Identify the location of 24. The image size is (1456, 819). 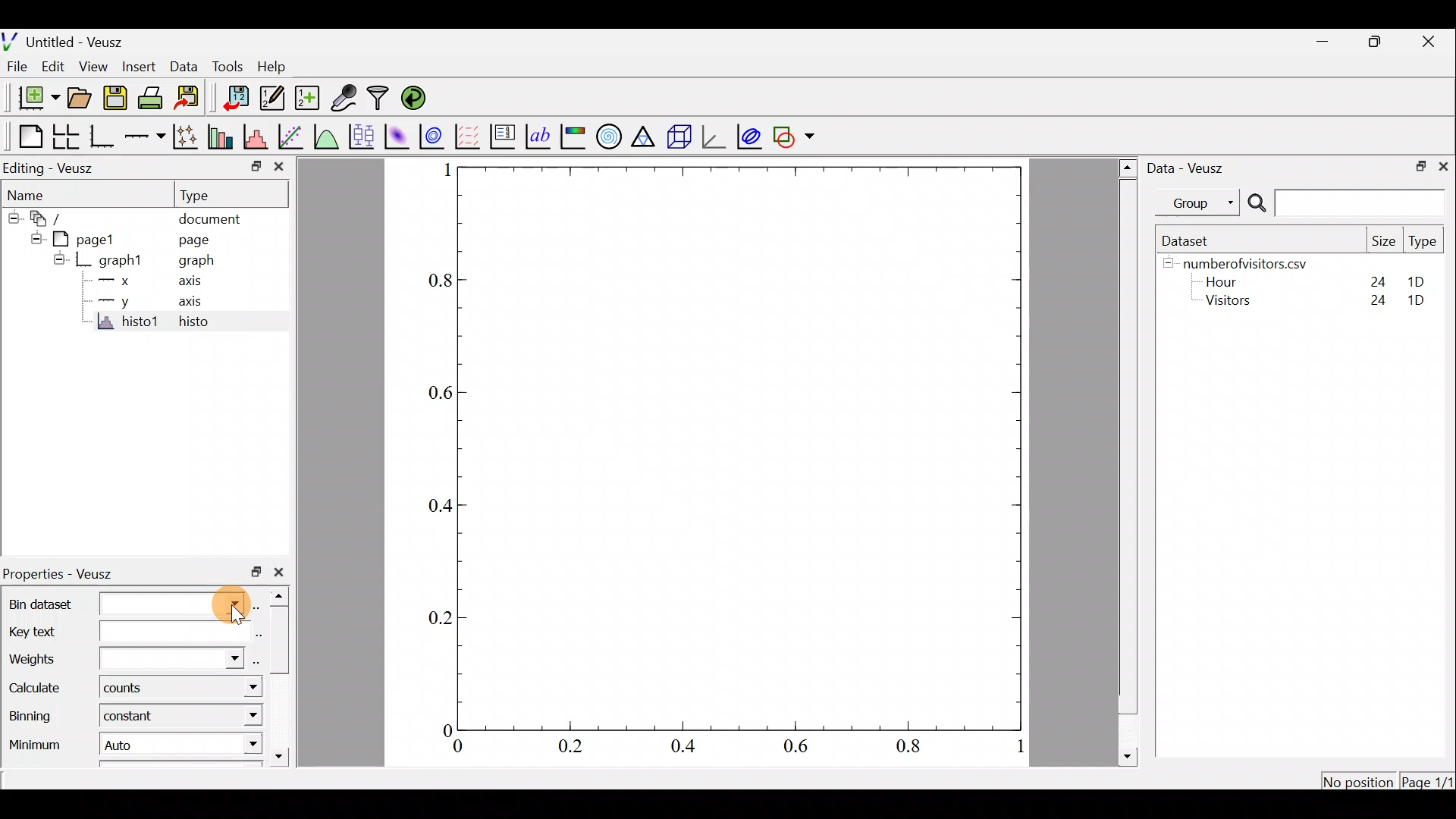
(1374, 301).